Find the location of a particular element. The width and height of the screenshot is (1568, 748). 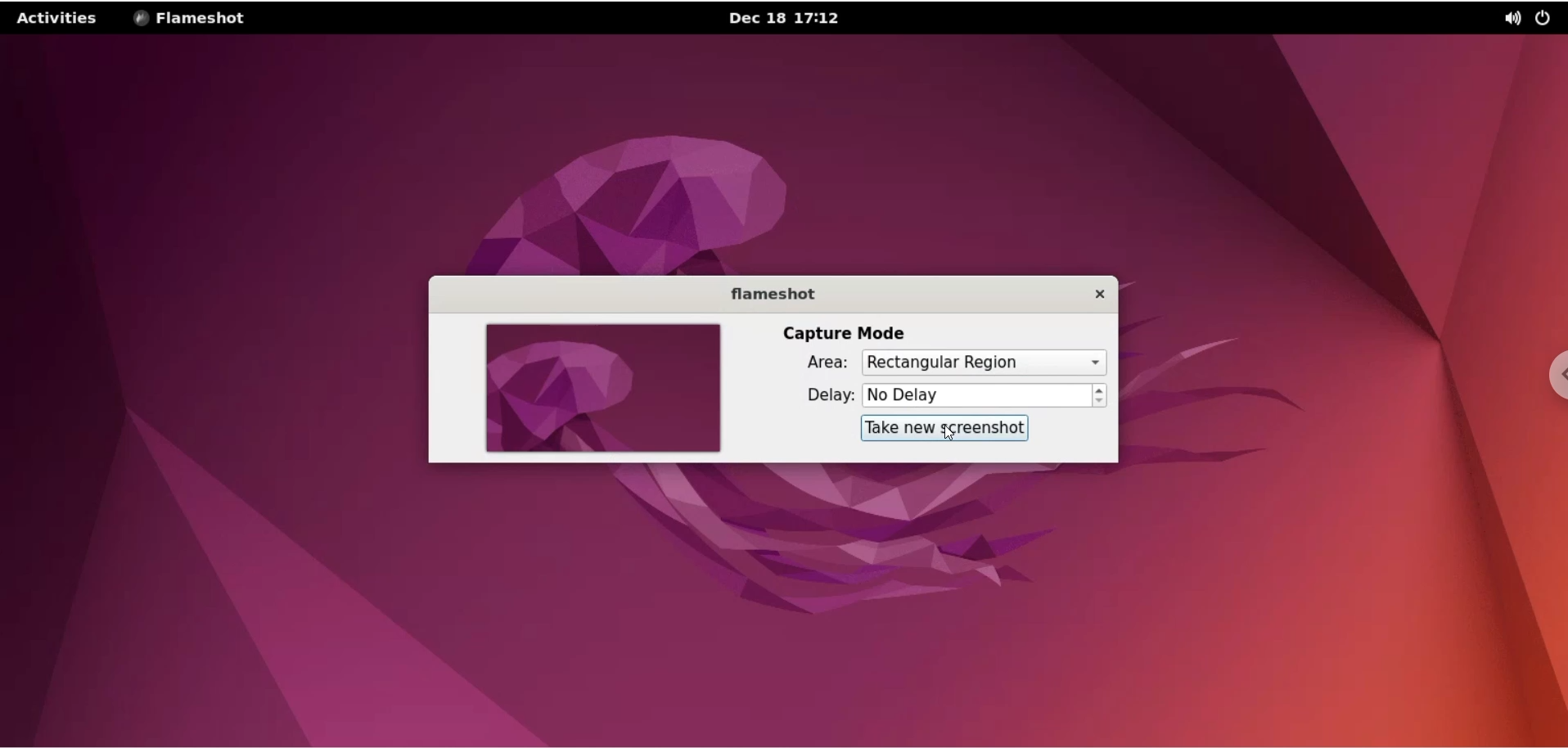

close is located at coordinates (1102, 295).